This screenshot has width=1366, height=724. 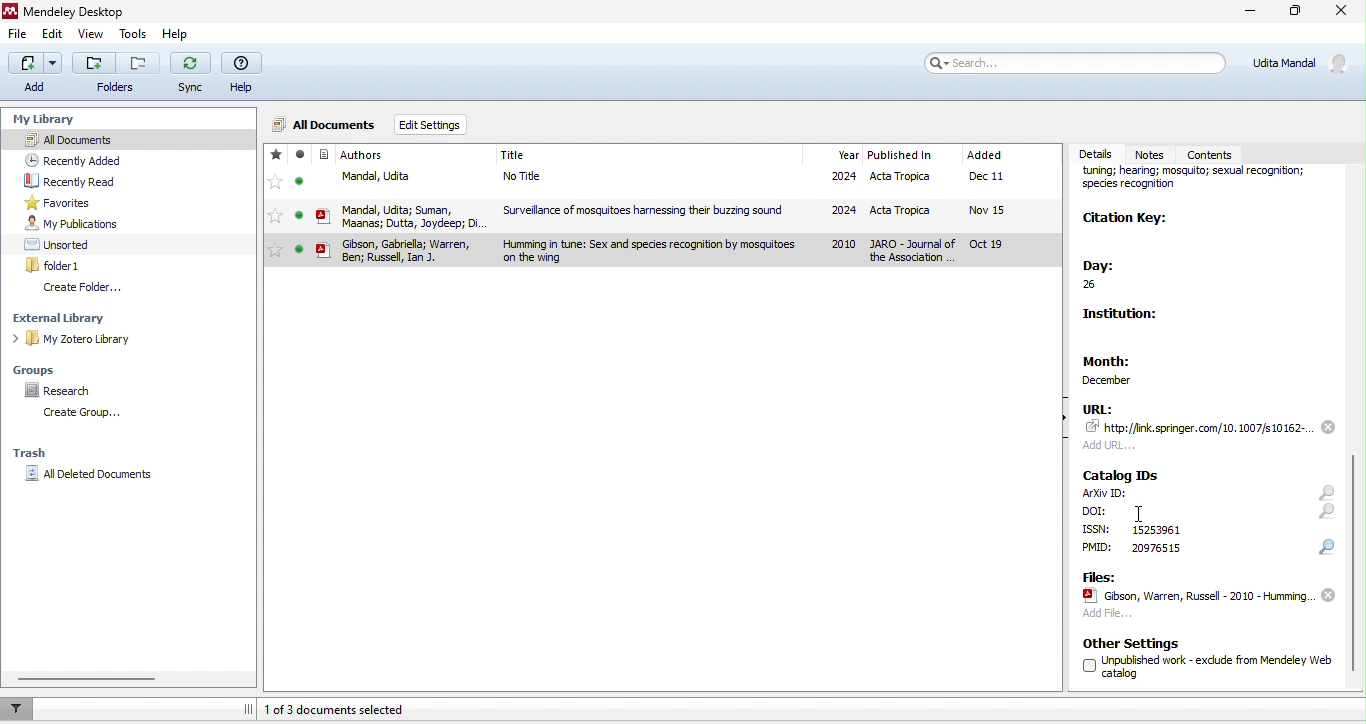 What do you see at coordinates (134, 36) in the screenshot?
I see `tools` at bounding box center [134, 36].